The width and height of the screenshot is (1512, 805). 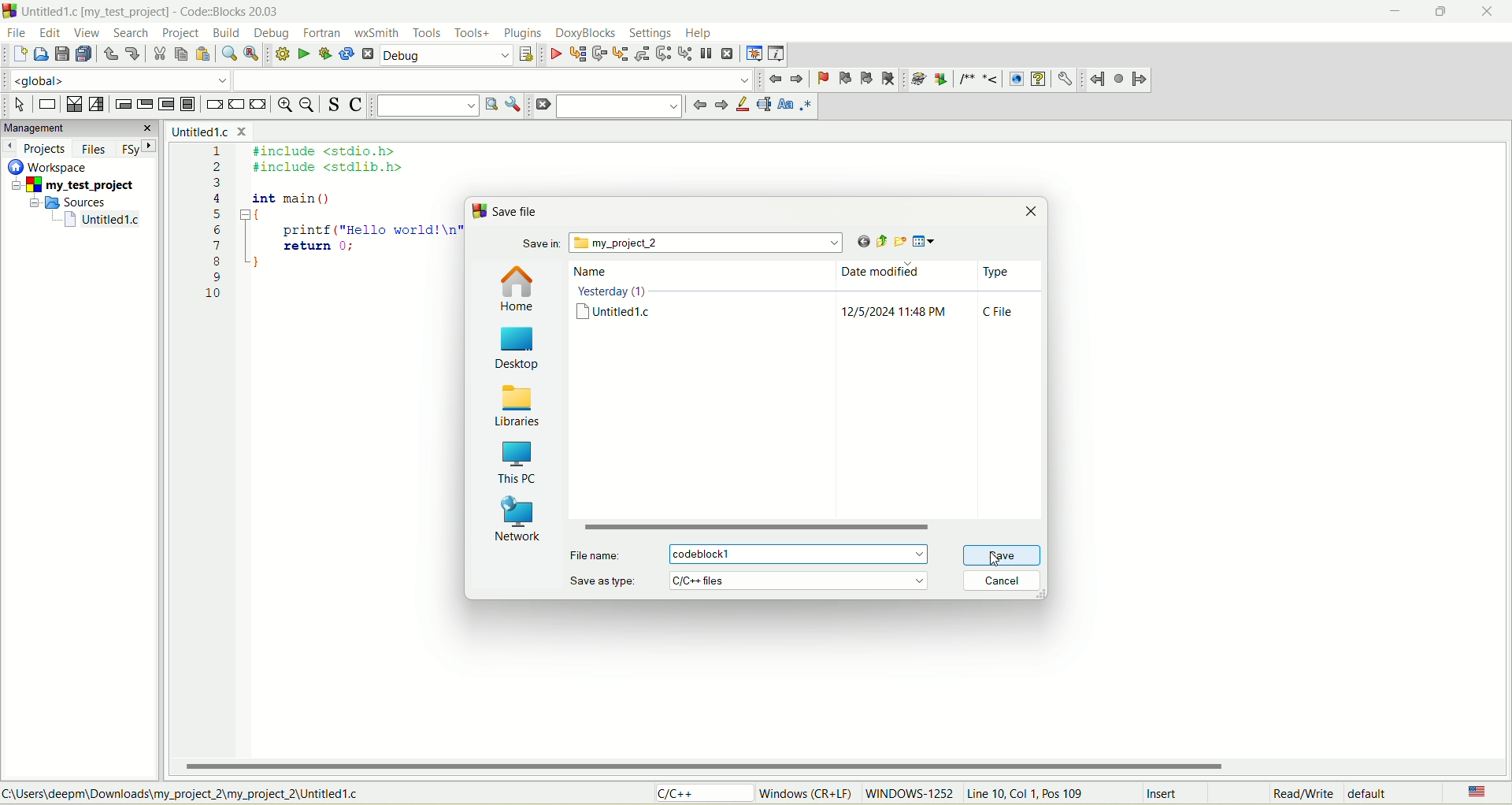 I want to click on file name added, so click(x=804, y=554).